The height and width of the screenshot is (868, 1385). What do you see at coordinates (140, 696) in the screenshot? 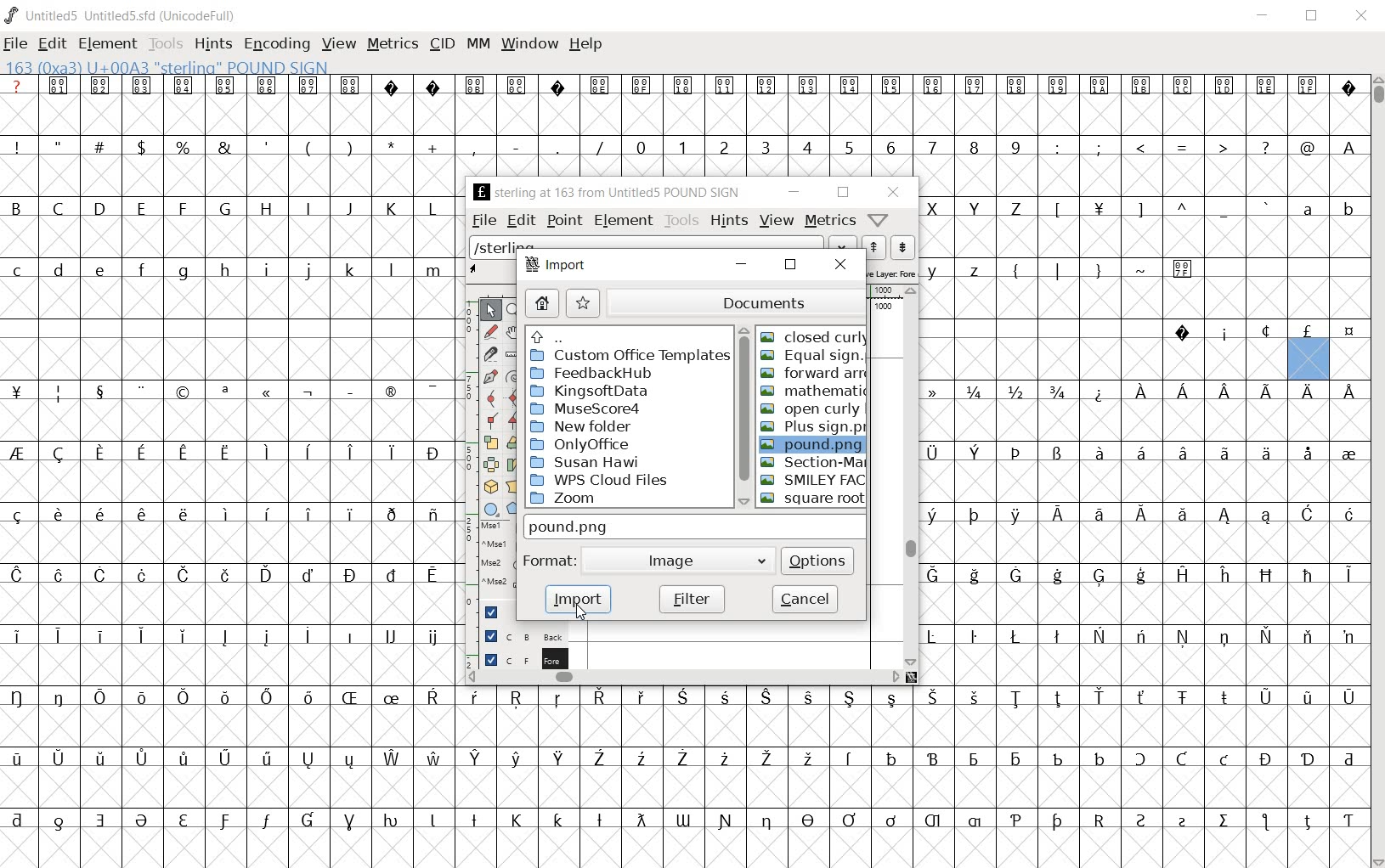
I see `Symbol` at bounding box center [140, 696].